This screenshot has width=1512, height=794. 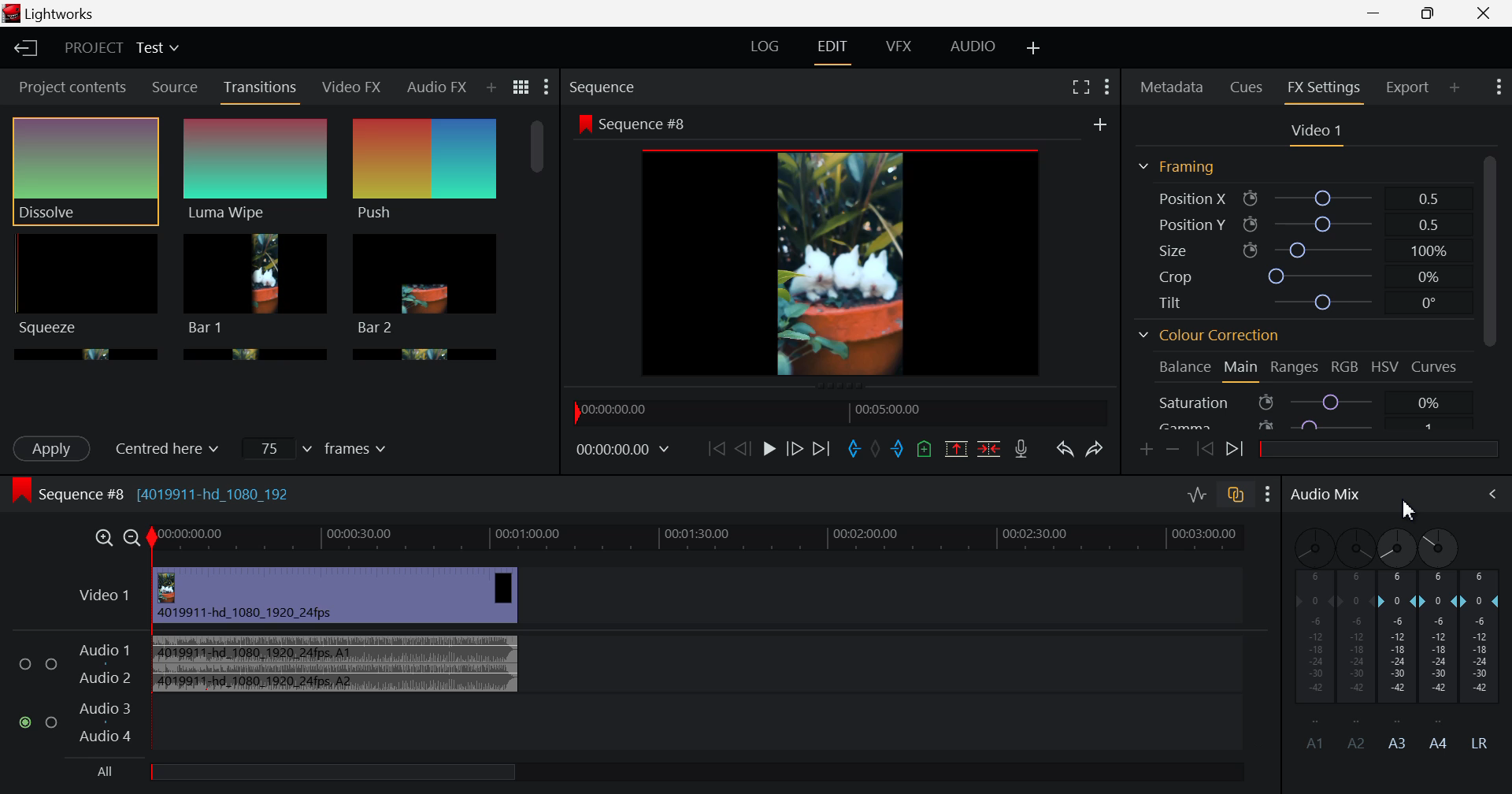 I want to click on RGB, so click(x=1347, y=367).